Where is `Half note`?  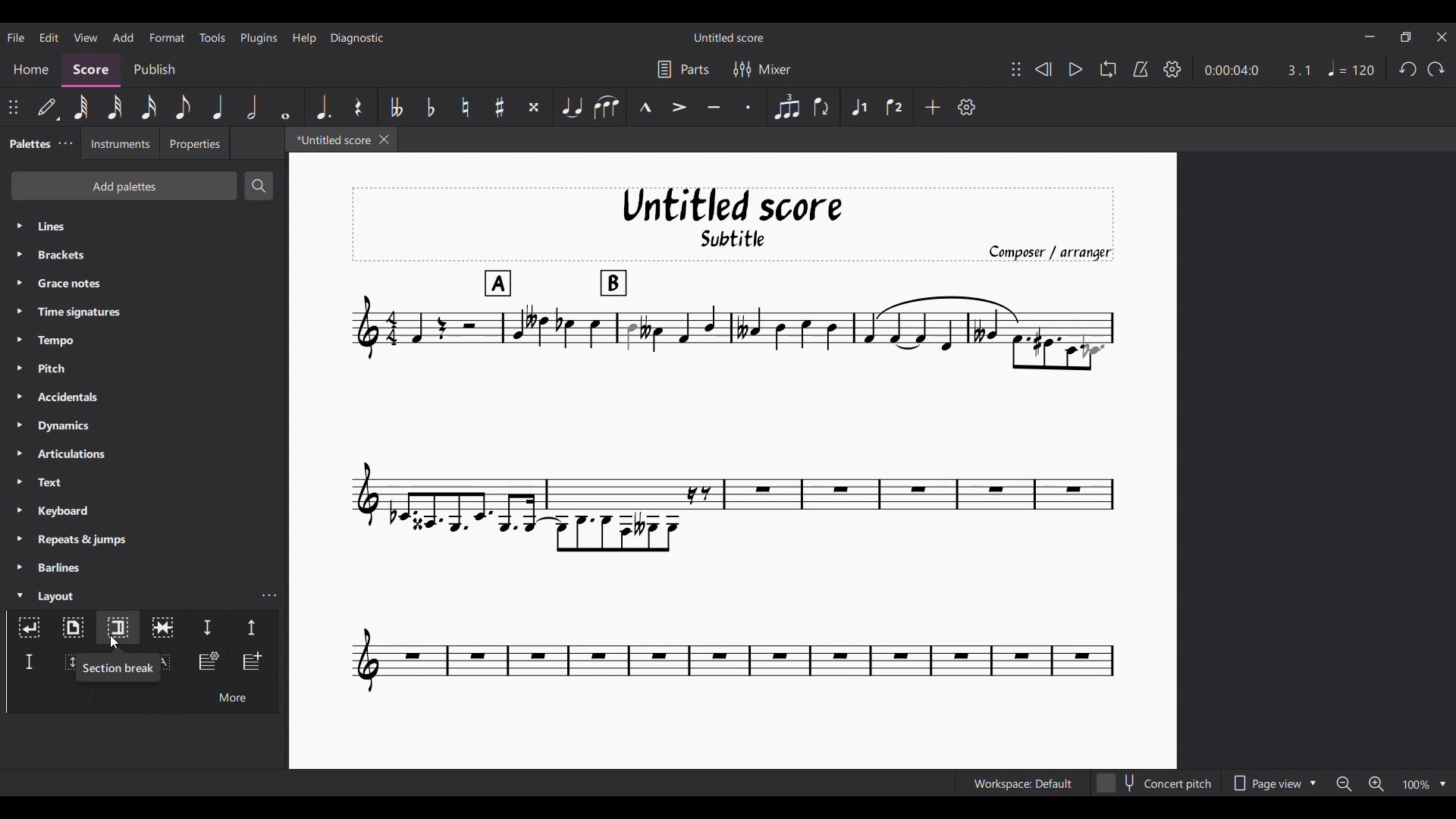
Half note is located at coordinates (252, 106).